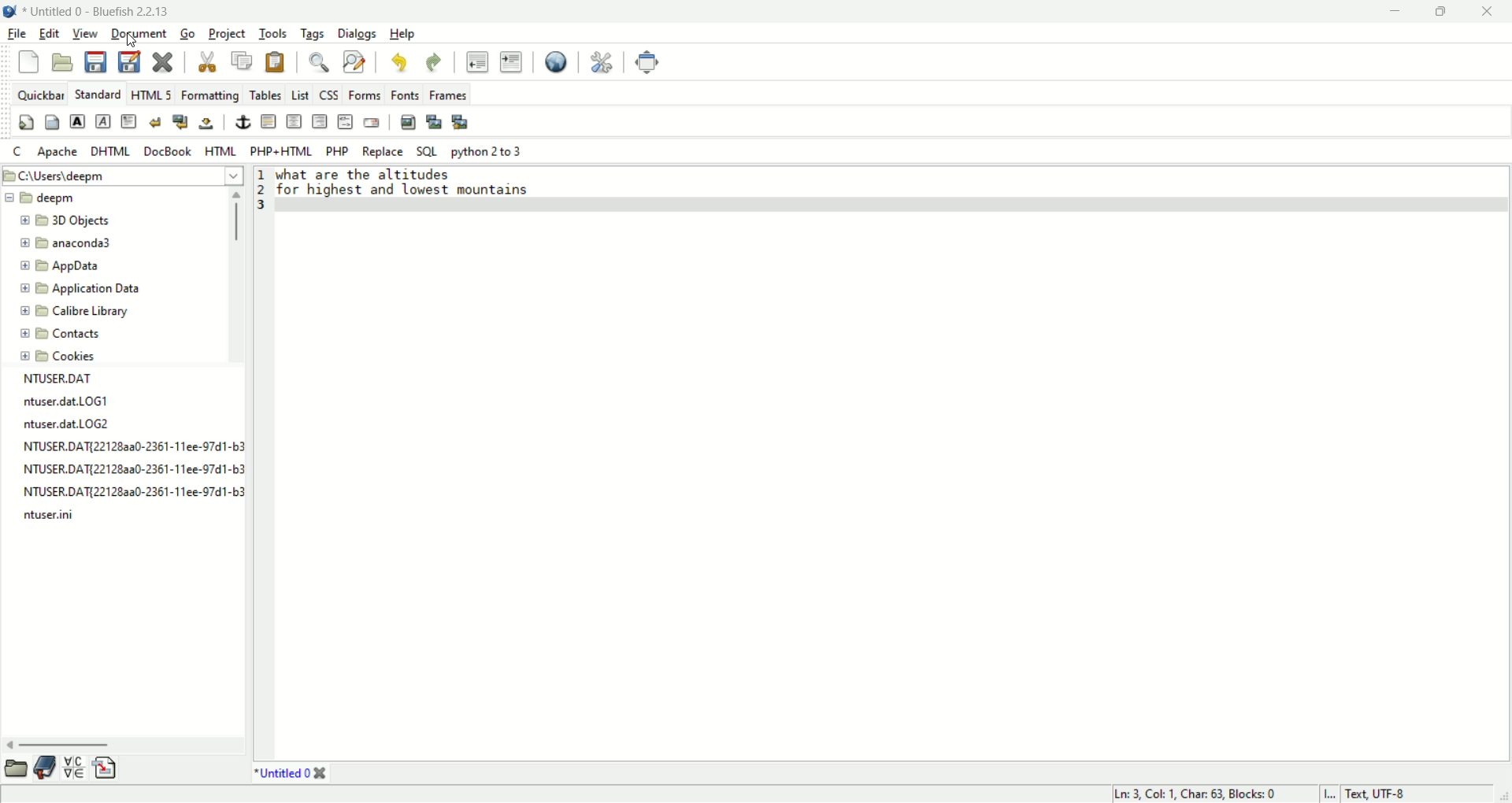  What do you see at coordinates (76, 121) in the screenshot?
I see `strong` at bounding box center [76, 121].